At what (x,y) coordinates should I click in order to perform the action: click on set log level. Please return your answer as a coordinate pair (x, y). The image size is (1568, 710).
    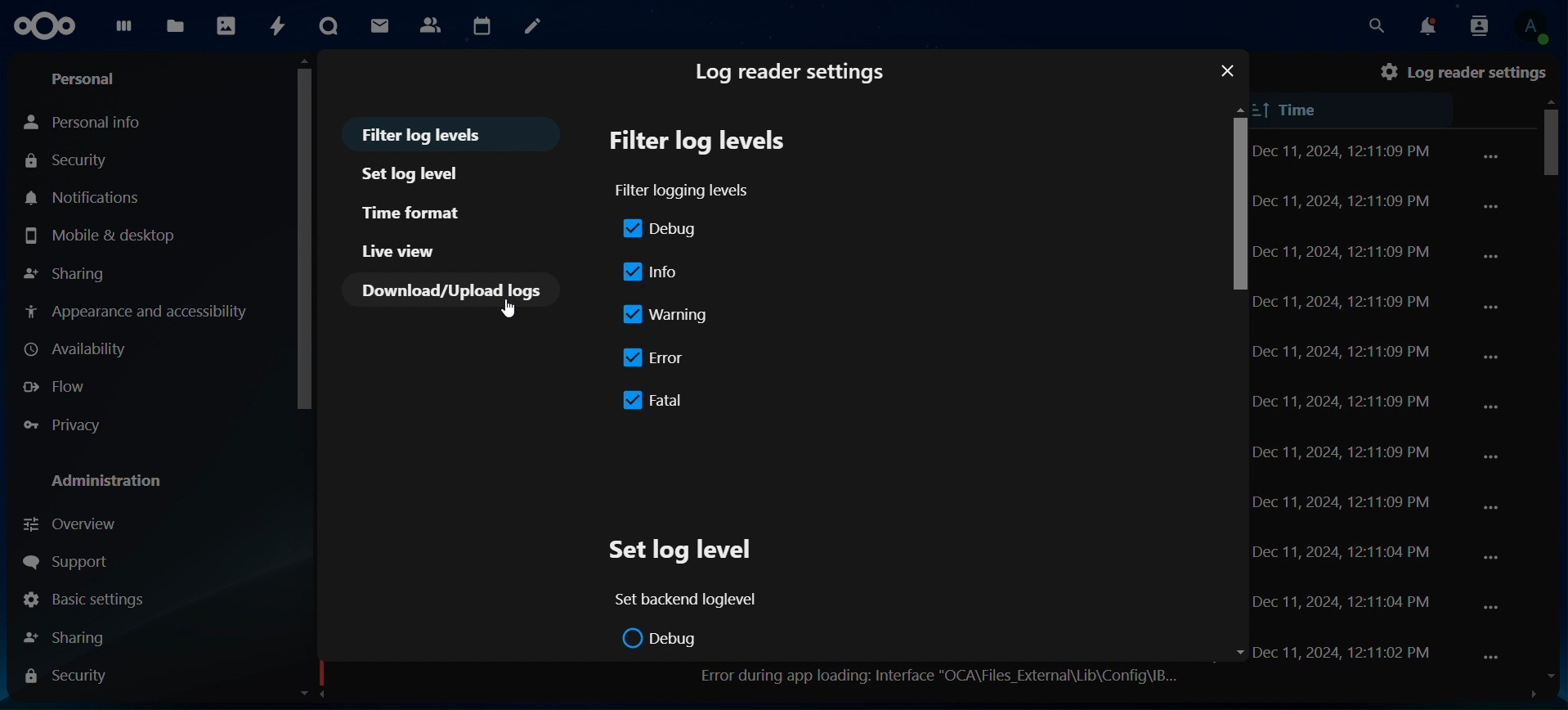
    Looking at the image, I should click on (681, 549).